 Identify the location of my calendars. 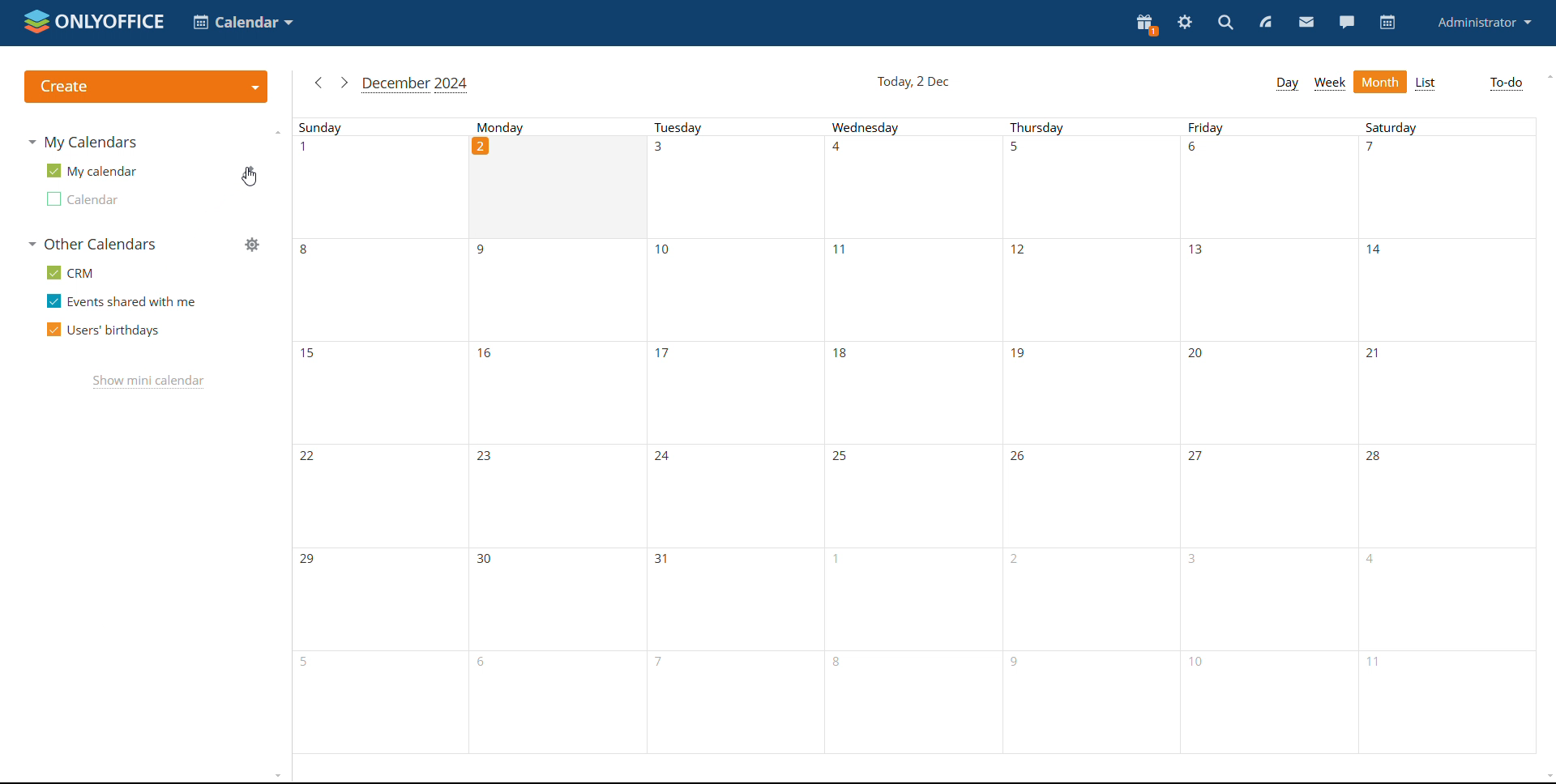
(88, 143).